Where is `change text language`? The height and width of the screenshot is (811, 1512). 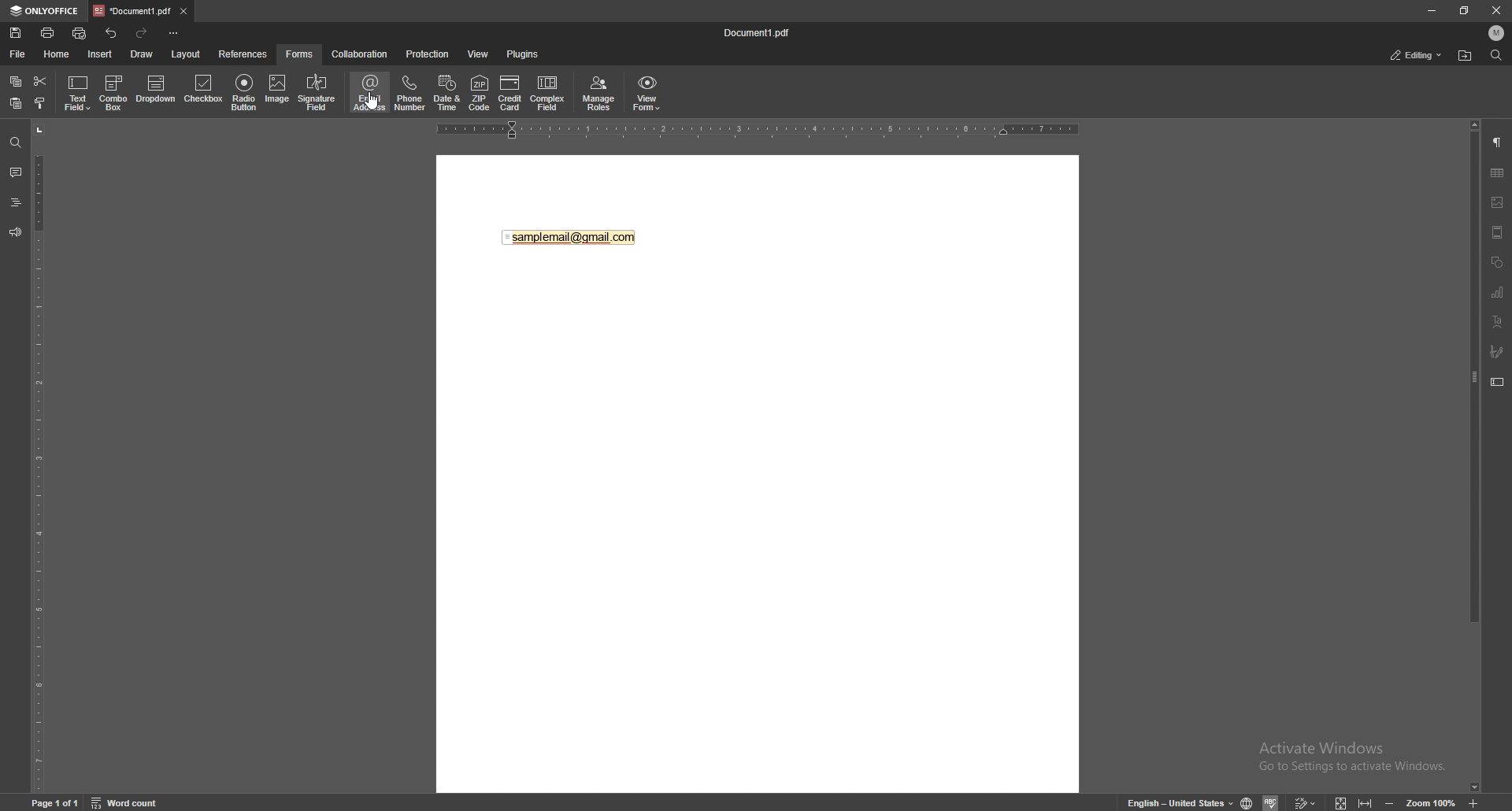
change text language is located at coordinates (1177, 802).